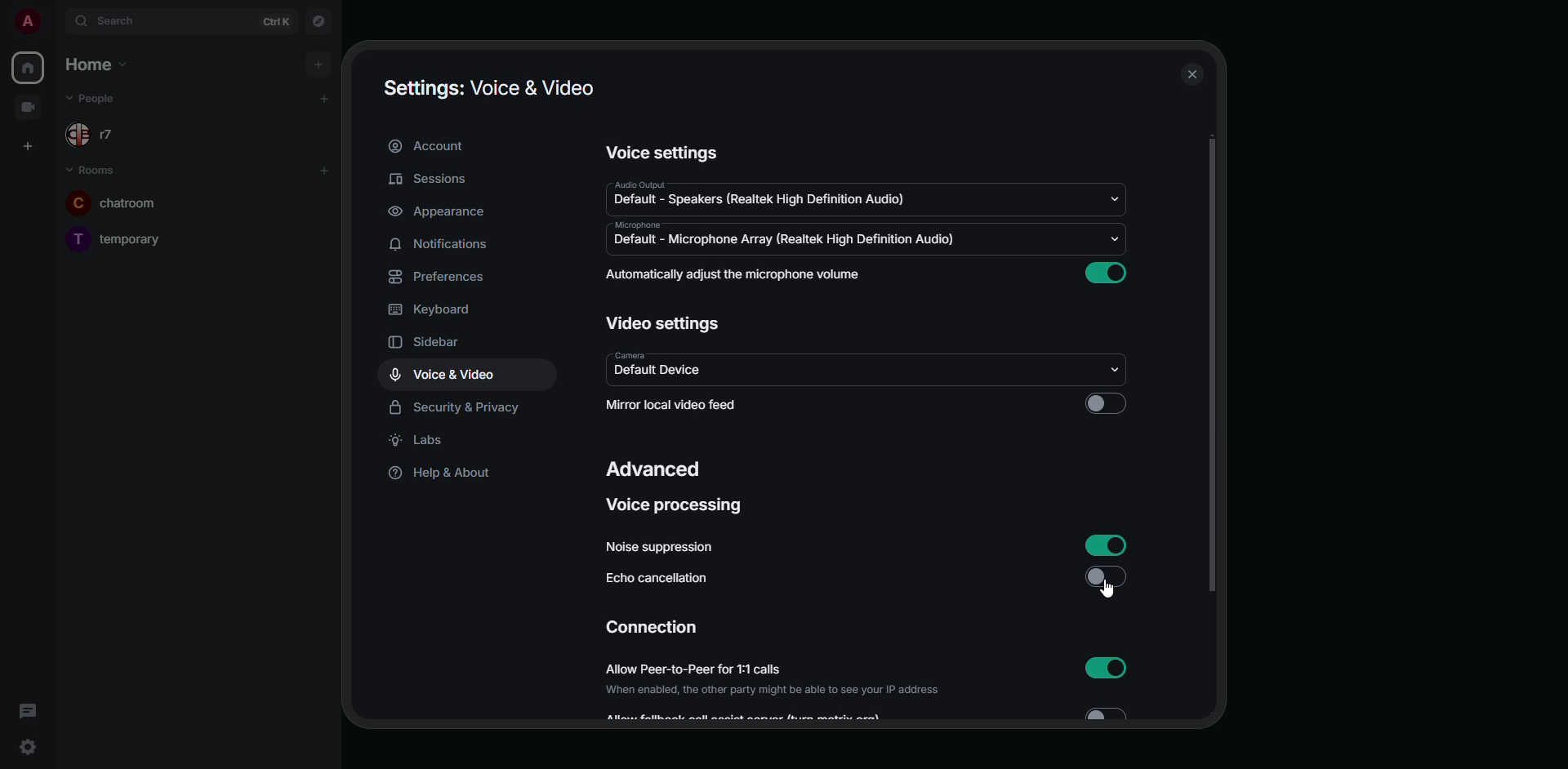 The width and height of the screenshot is (1568, 769). I want to click on drop down, so click(1112, 198).